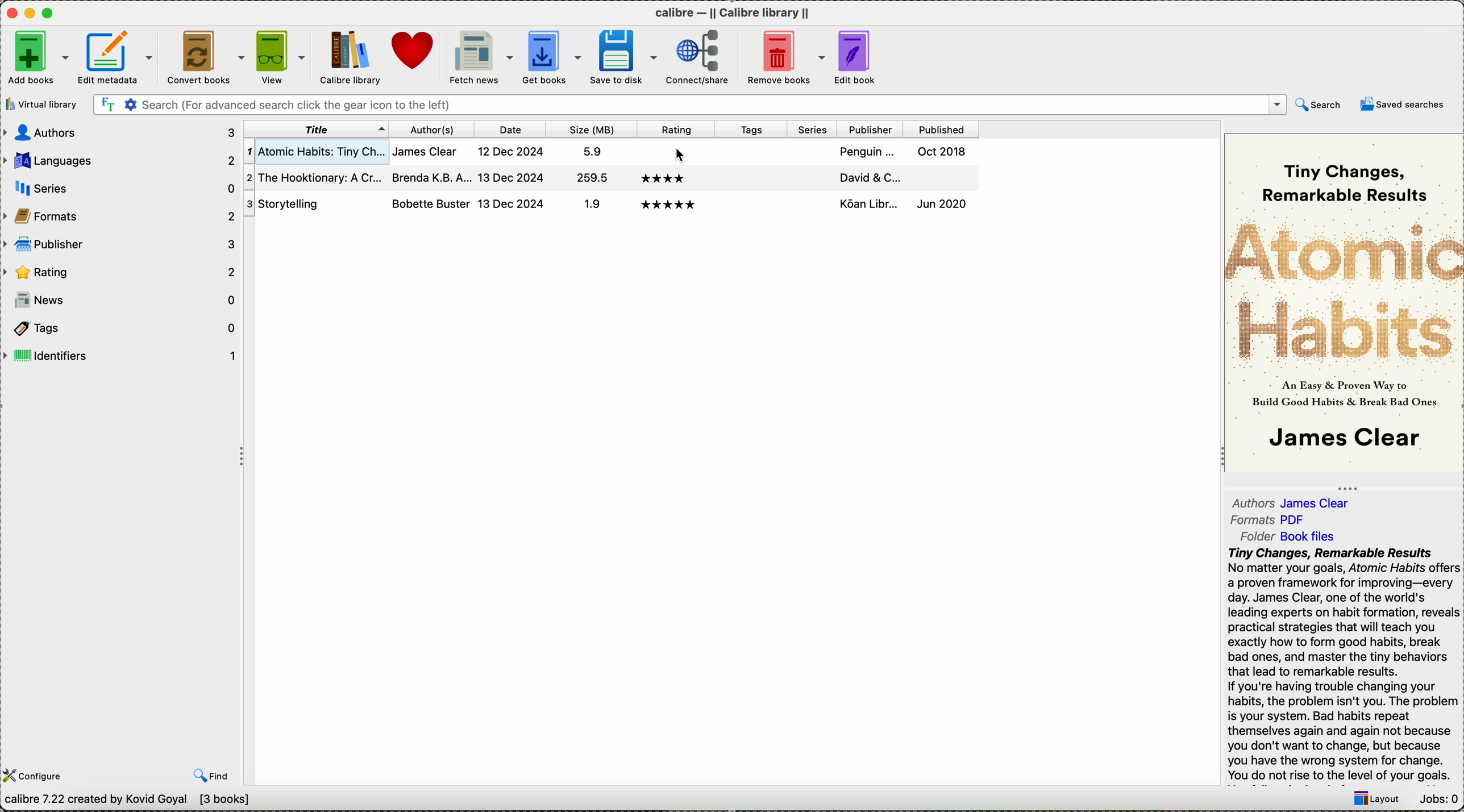 This screenshot has height=812, width=1464. I want to click on oct 2018, so click(945, 151).